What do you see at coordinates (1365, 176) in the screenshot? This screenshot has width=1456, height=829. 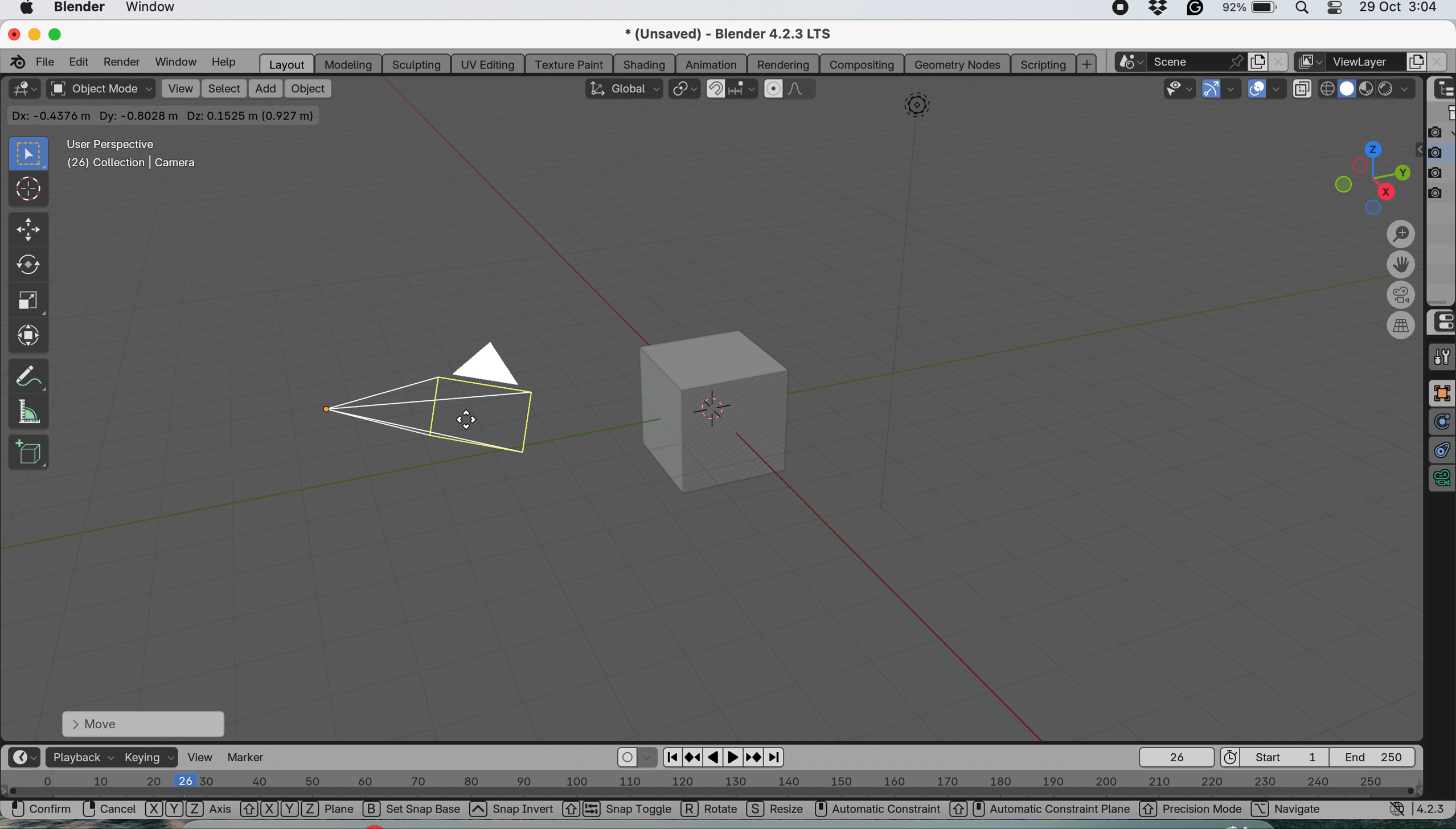 I see `preset viewpoints` at bounding box center [1365, 176].